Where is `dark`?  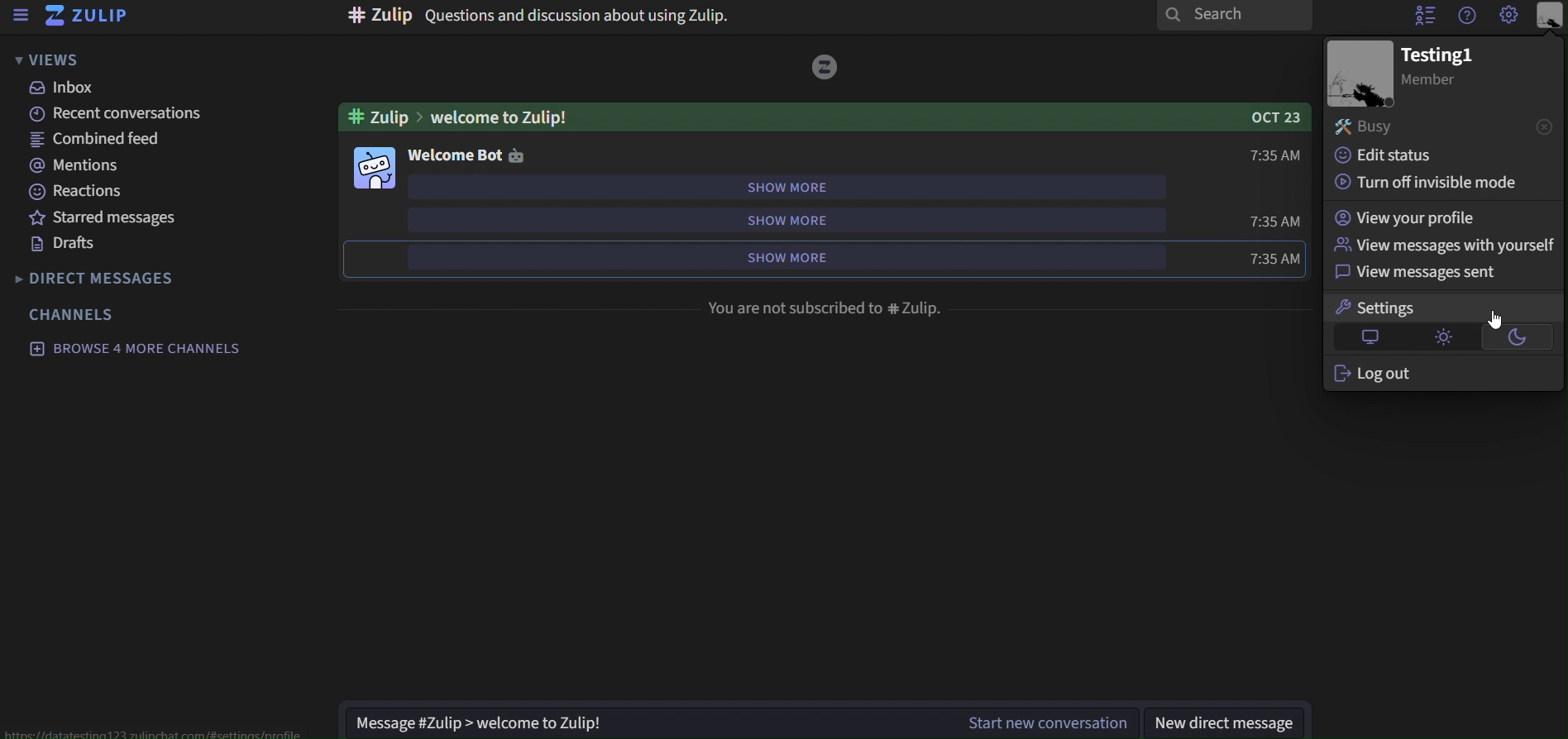 dark is located at coordinates (1521, 337).